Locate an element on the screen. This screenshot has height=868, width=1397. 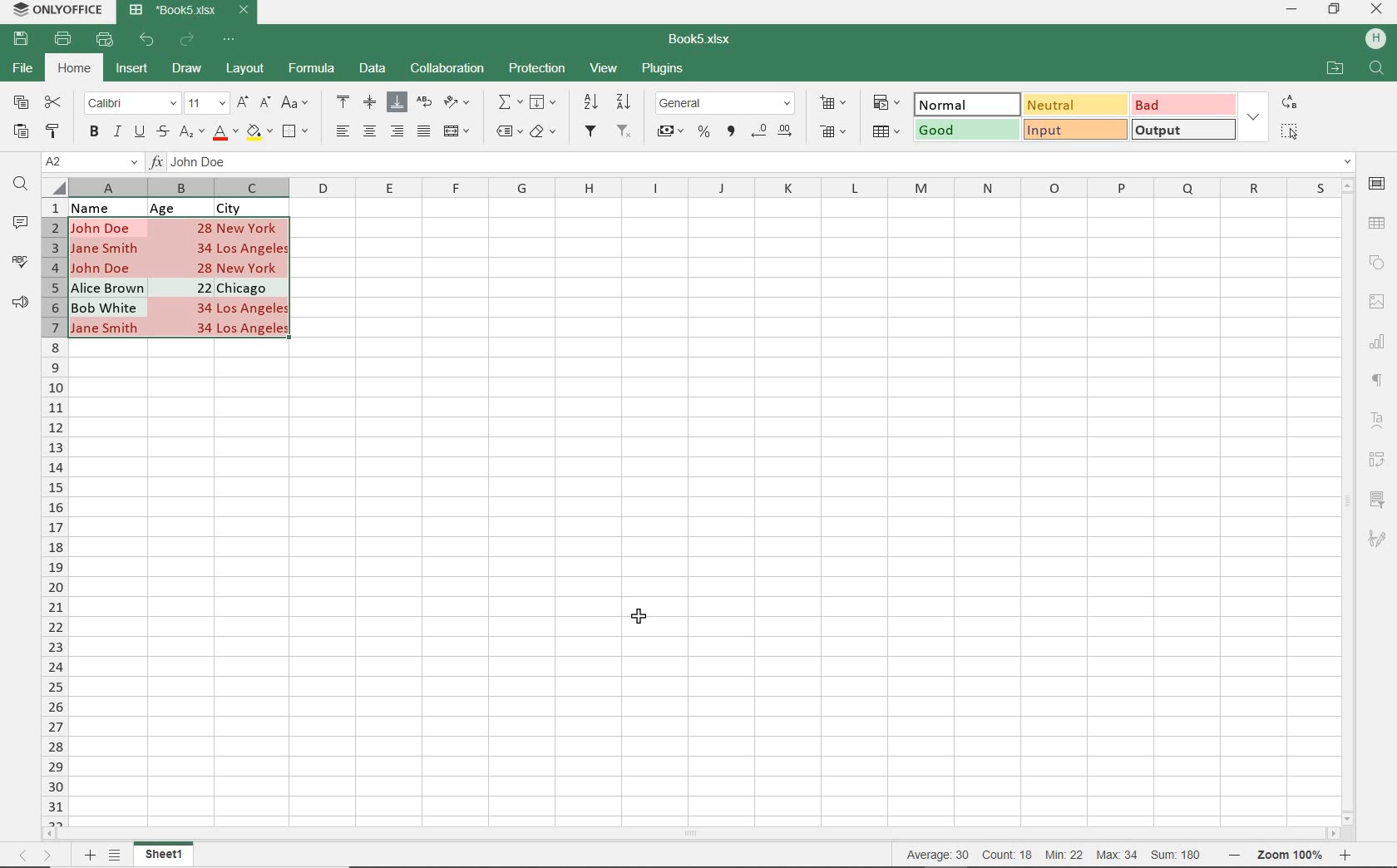
FONT SIZE is located at coordinates (204, 103).